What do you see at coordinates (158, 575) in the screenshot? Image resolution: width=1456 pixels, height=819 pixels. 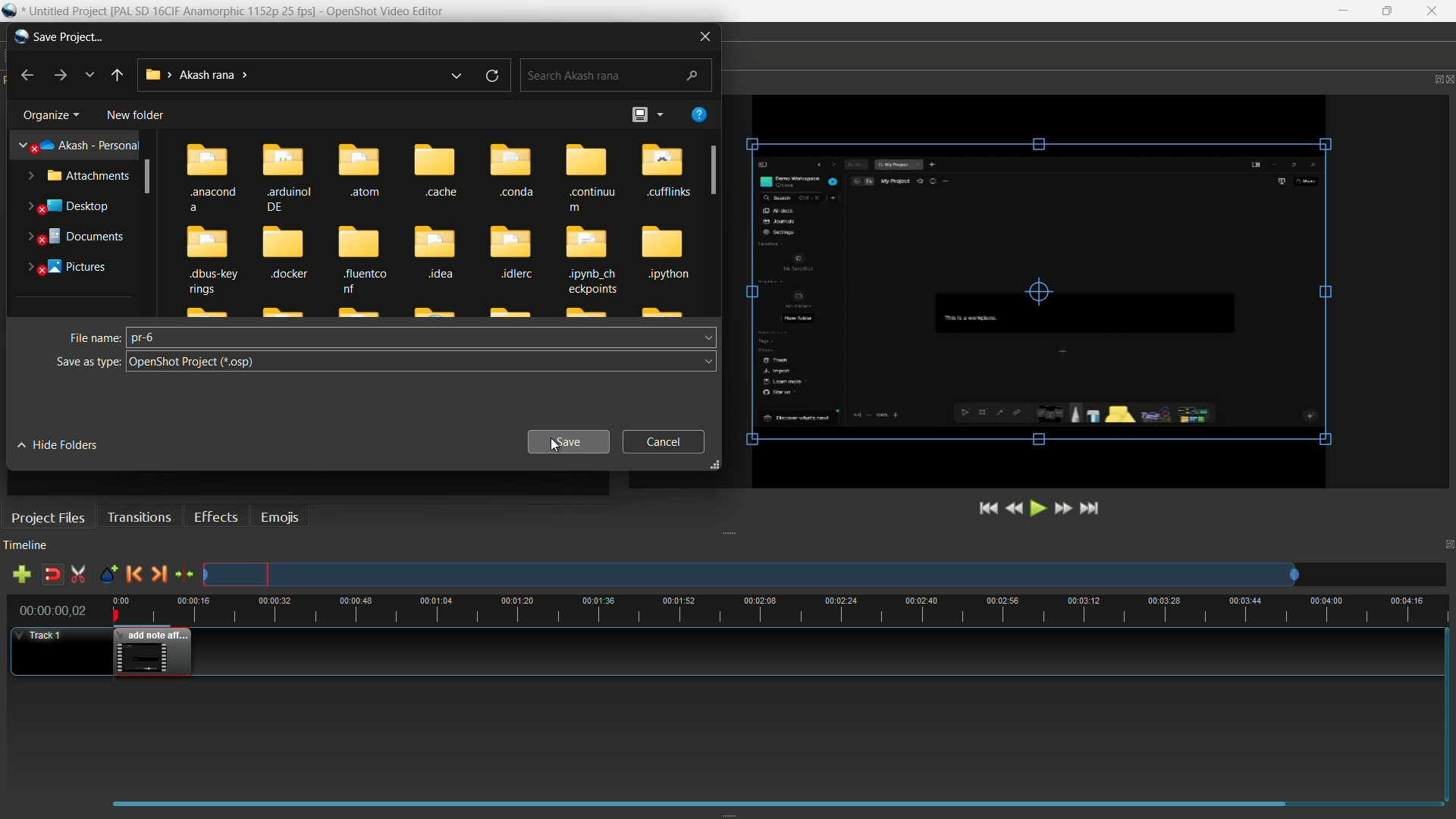 I see `next marker` at bounding box center [158, 575].